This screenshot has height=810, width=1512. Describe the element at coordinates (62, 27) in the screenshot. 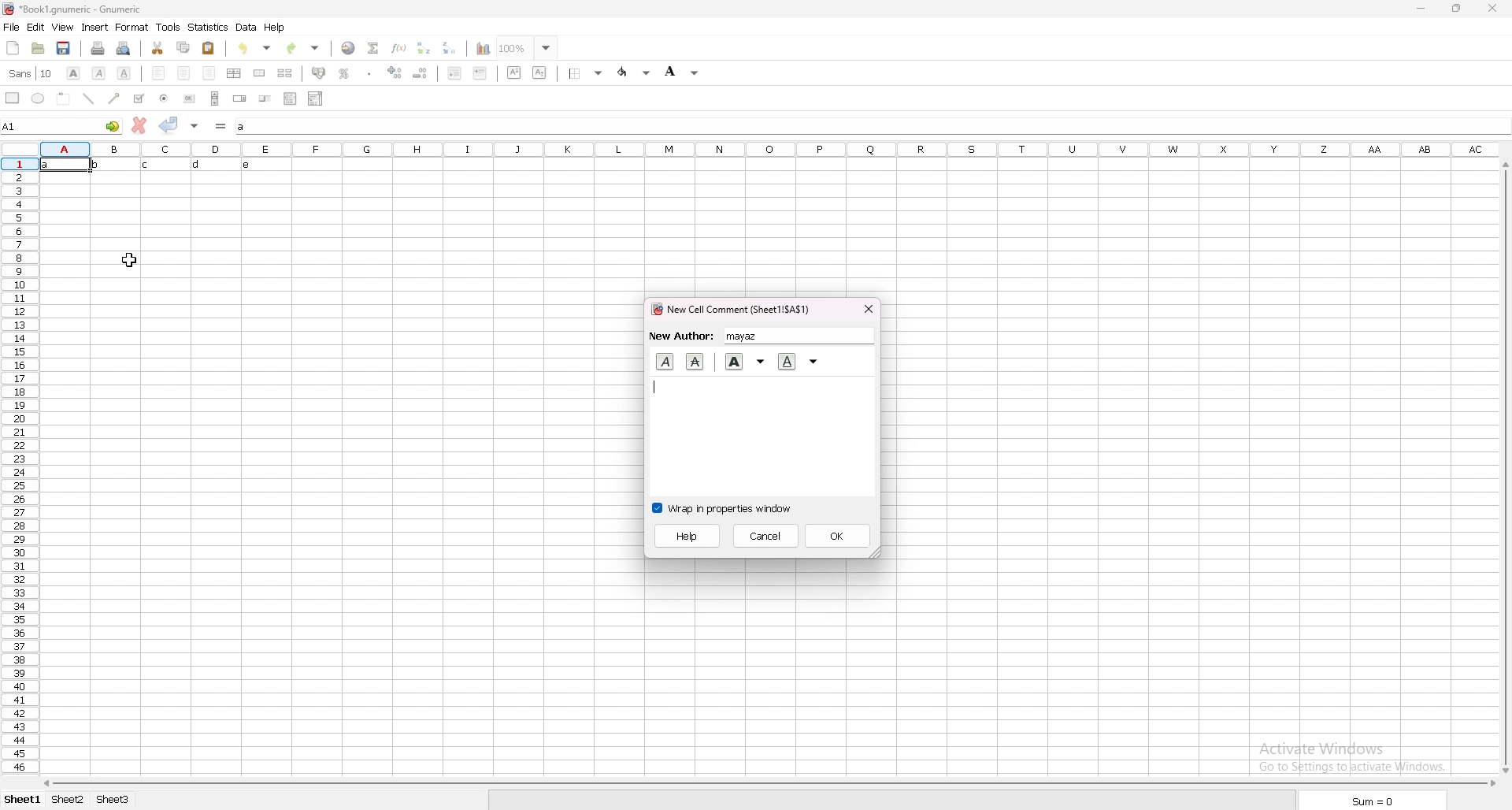

I see `view` at that location.